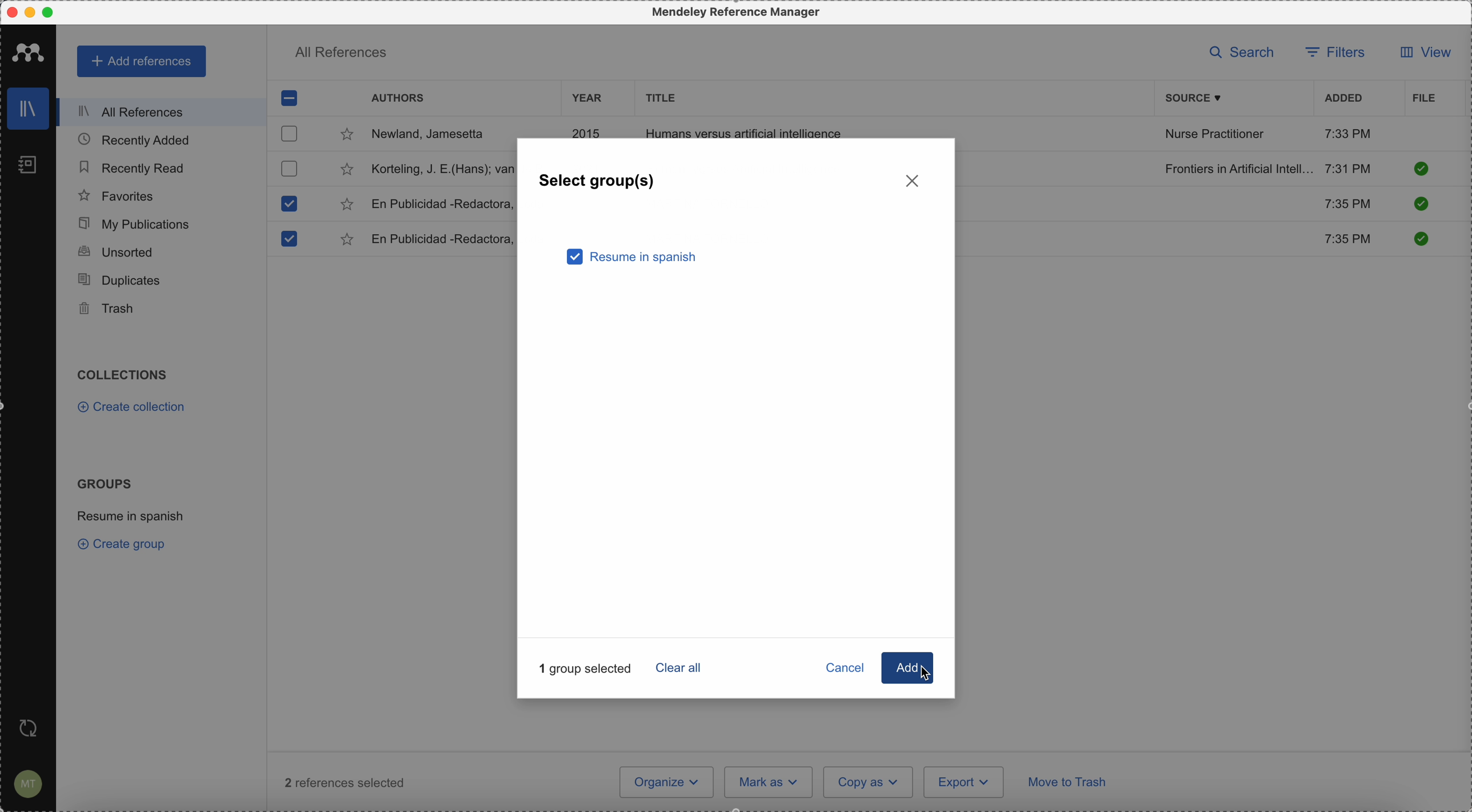 The width and height of the screenshot is (1472, 812). Describe the element at coordinates (745, 131) in the screenshot. I see `Humans versus artificial intelligence` at that location.